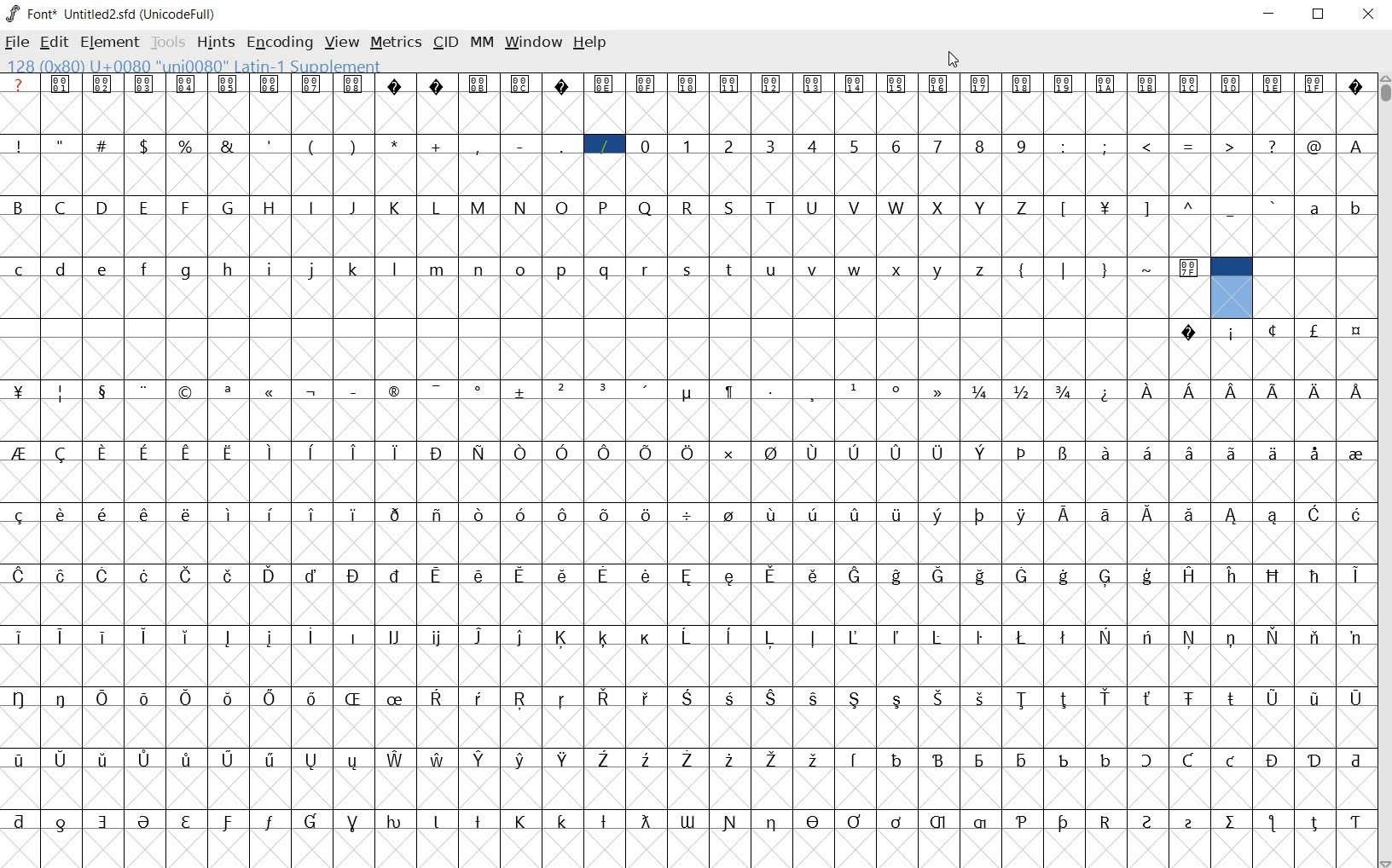  What do you see at coordinates (393, 638) in the screenshot?
I see `Symbol` at bounding box center [393, 638].